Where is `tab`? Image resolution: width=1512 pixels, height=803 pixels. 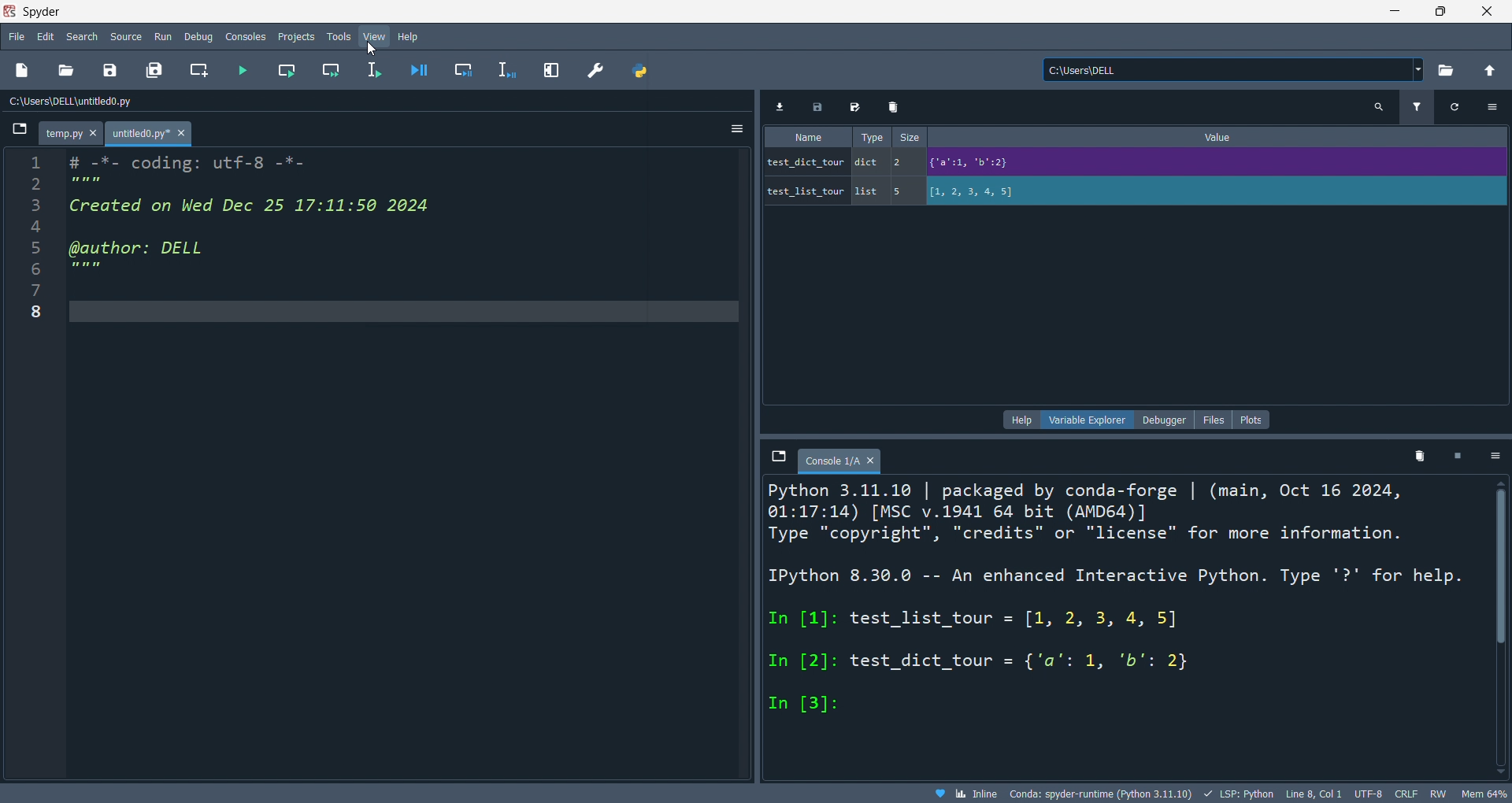
tab is located at coordinates (840, 460).